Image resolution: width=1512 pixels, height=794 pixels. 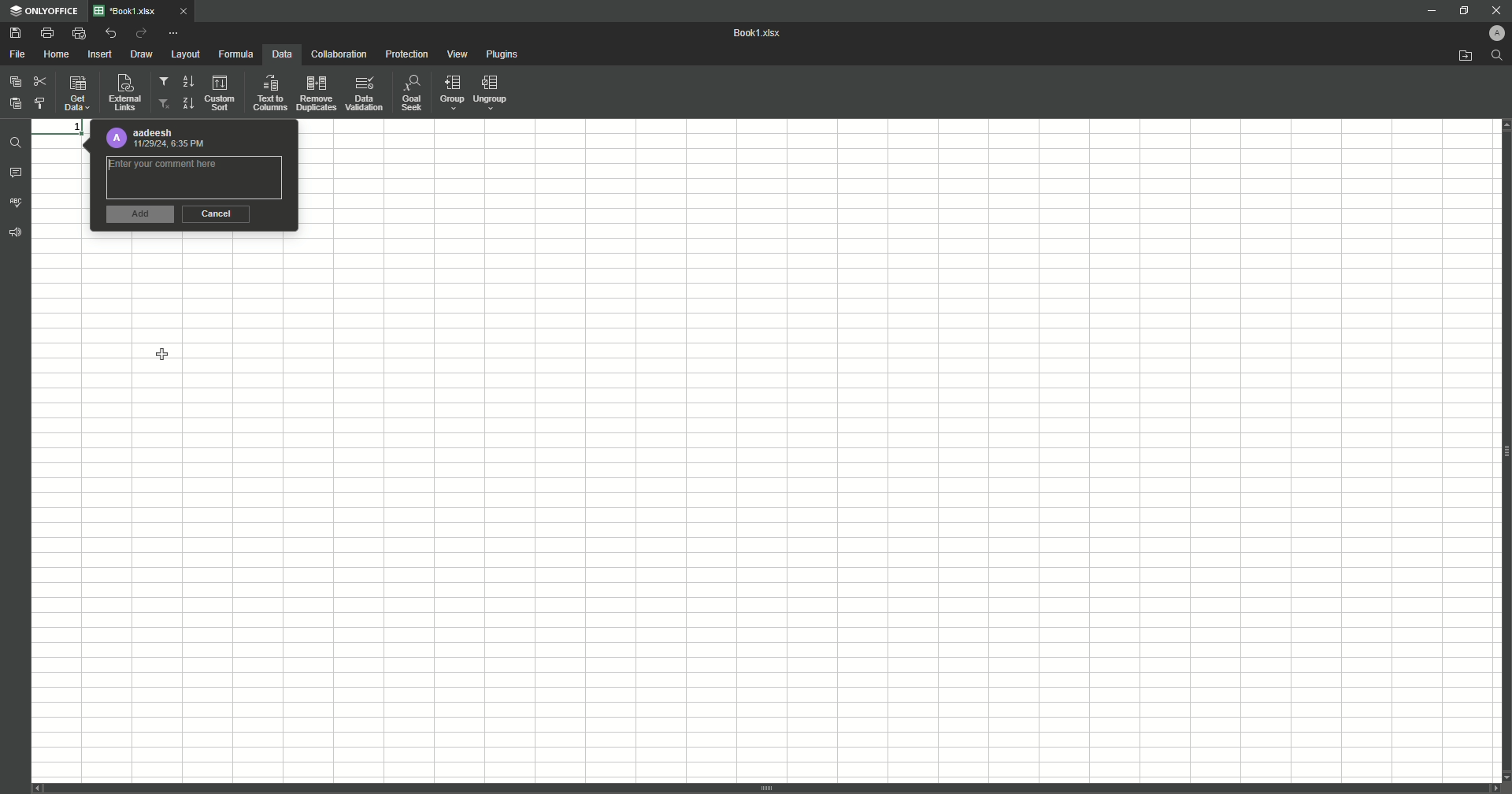 I want to click on File, so click(x=18, y=54).